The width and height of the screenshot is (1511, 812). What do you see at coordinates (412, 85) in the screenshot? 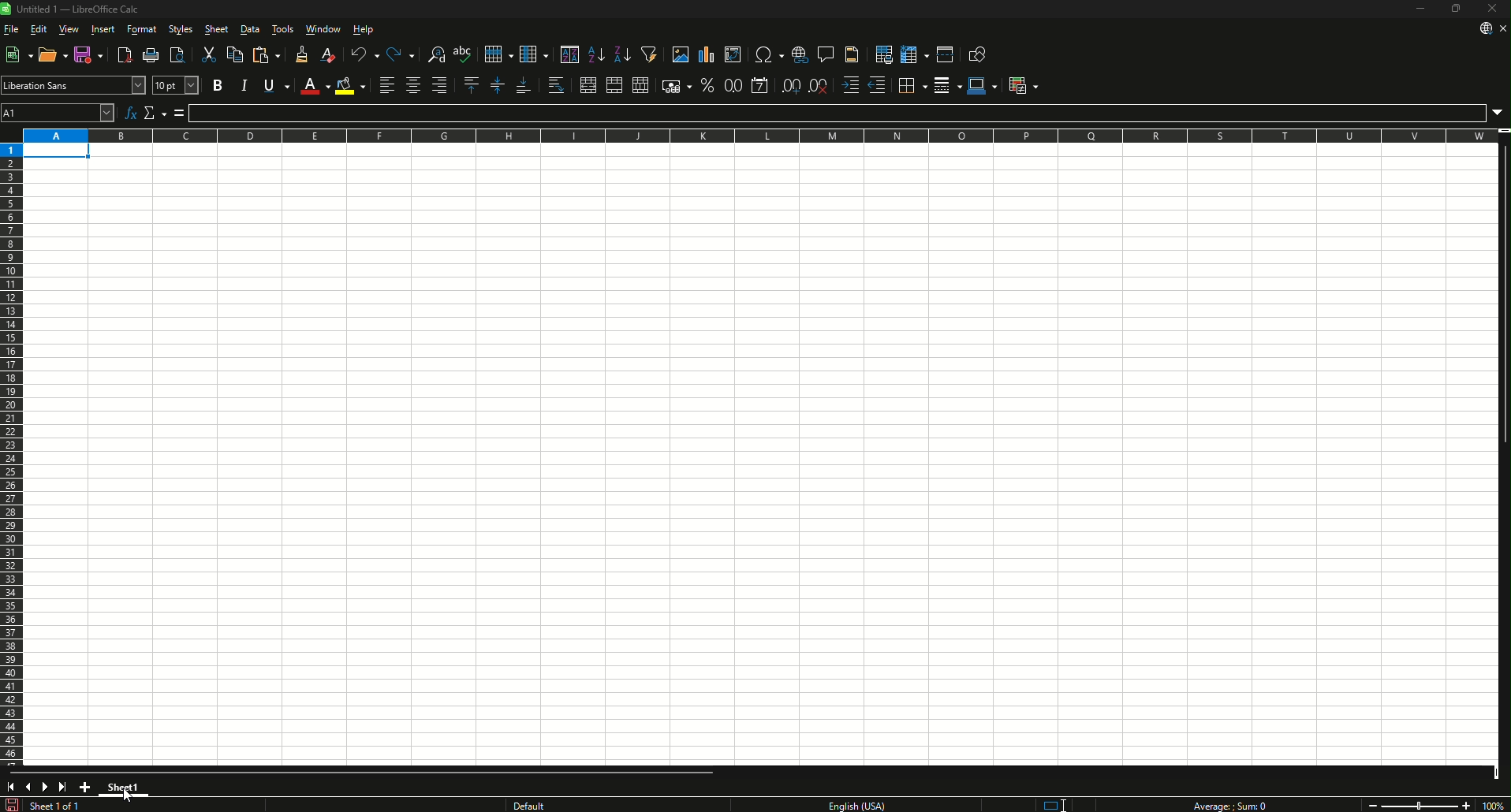
I see `Align Center` at bounding box center [412, 85].